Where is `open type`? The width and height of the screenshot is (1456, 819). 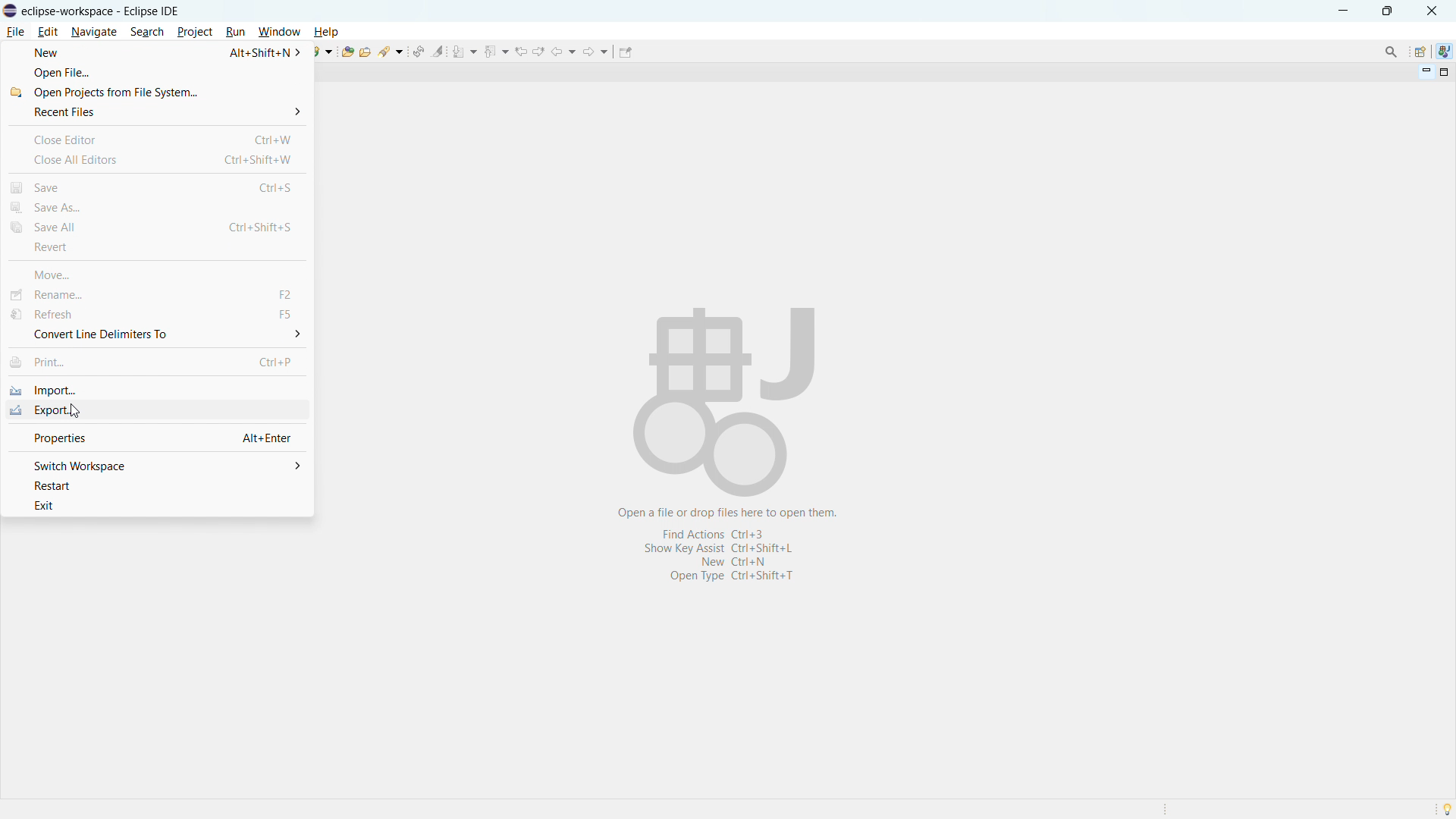 open type is located at coordinates (347, 51).